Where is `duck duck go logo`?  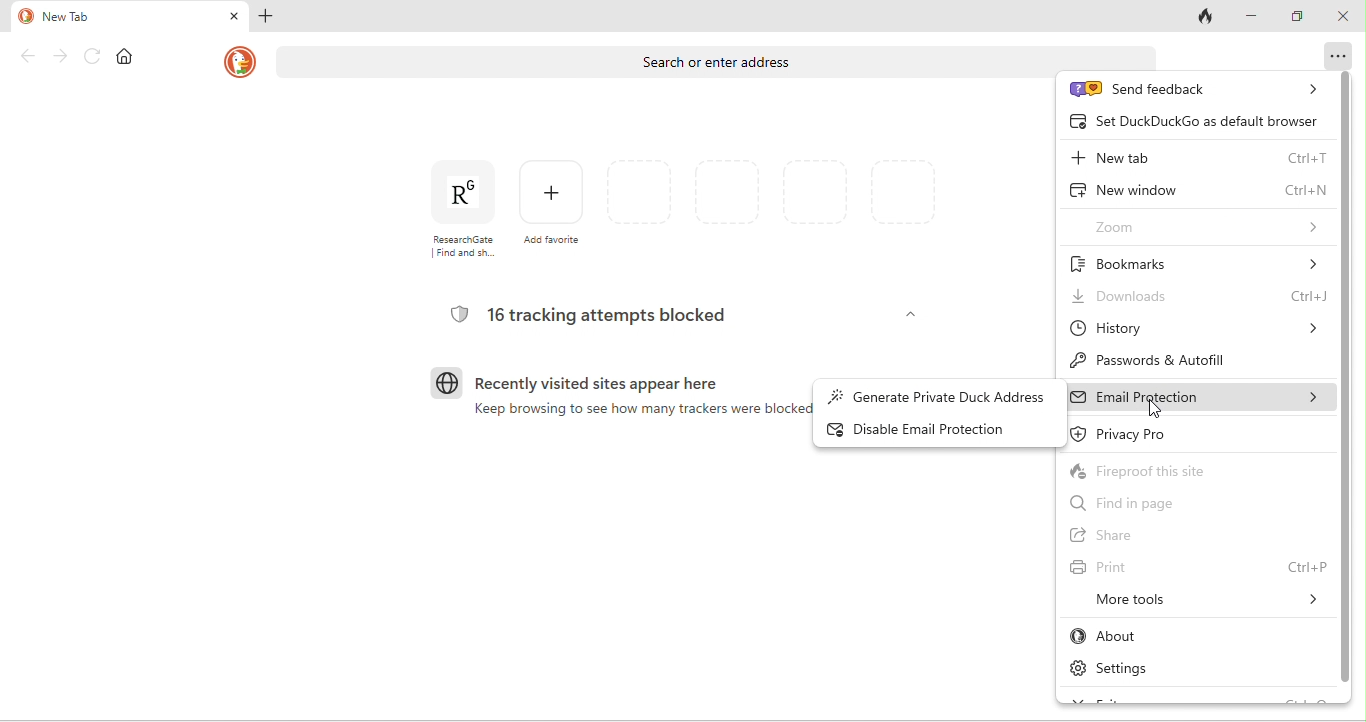
duck duck go logo is located at coordinates (239, 62).